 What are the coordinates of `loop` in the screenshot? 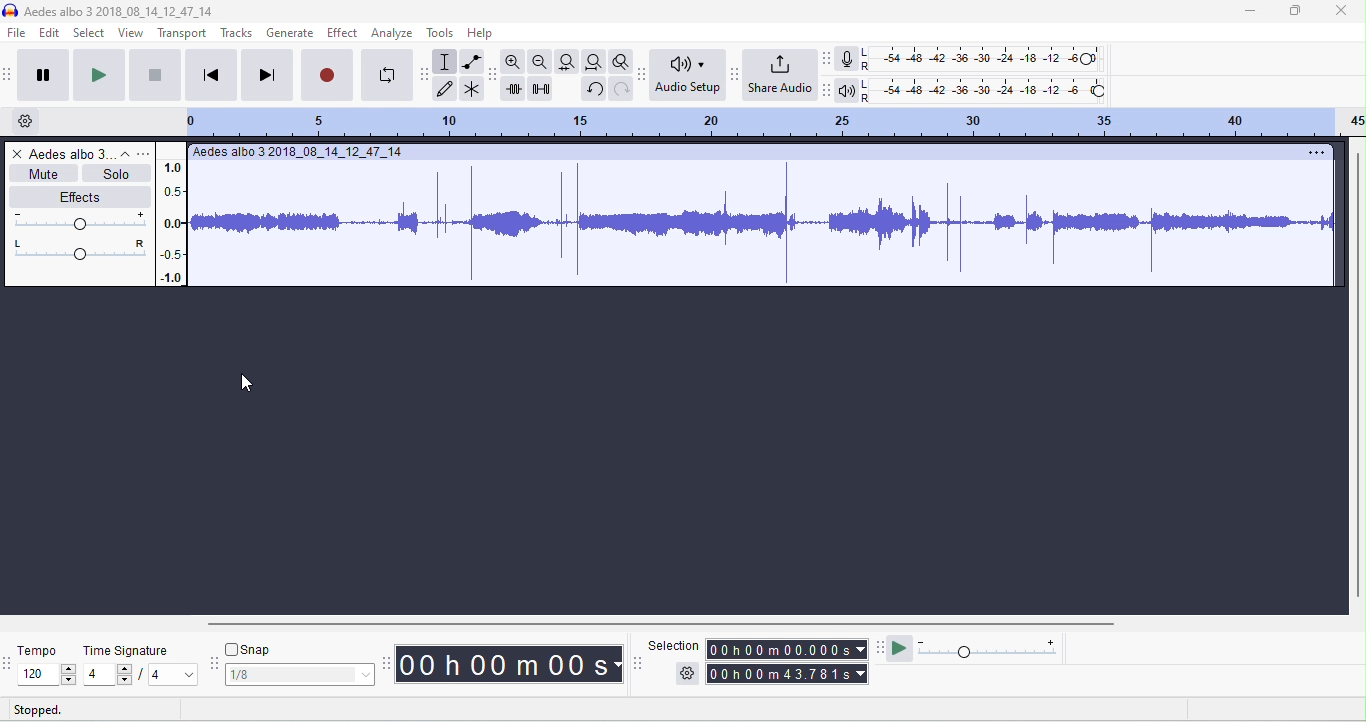 It's located at (389, 73).